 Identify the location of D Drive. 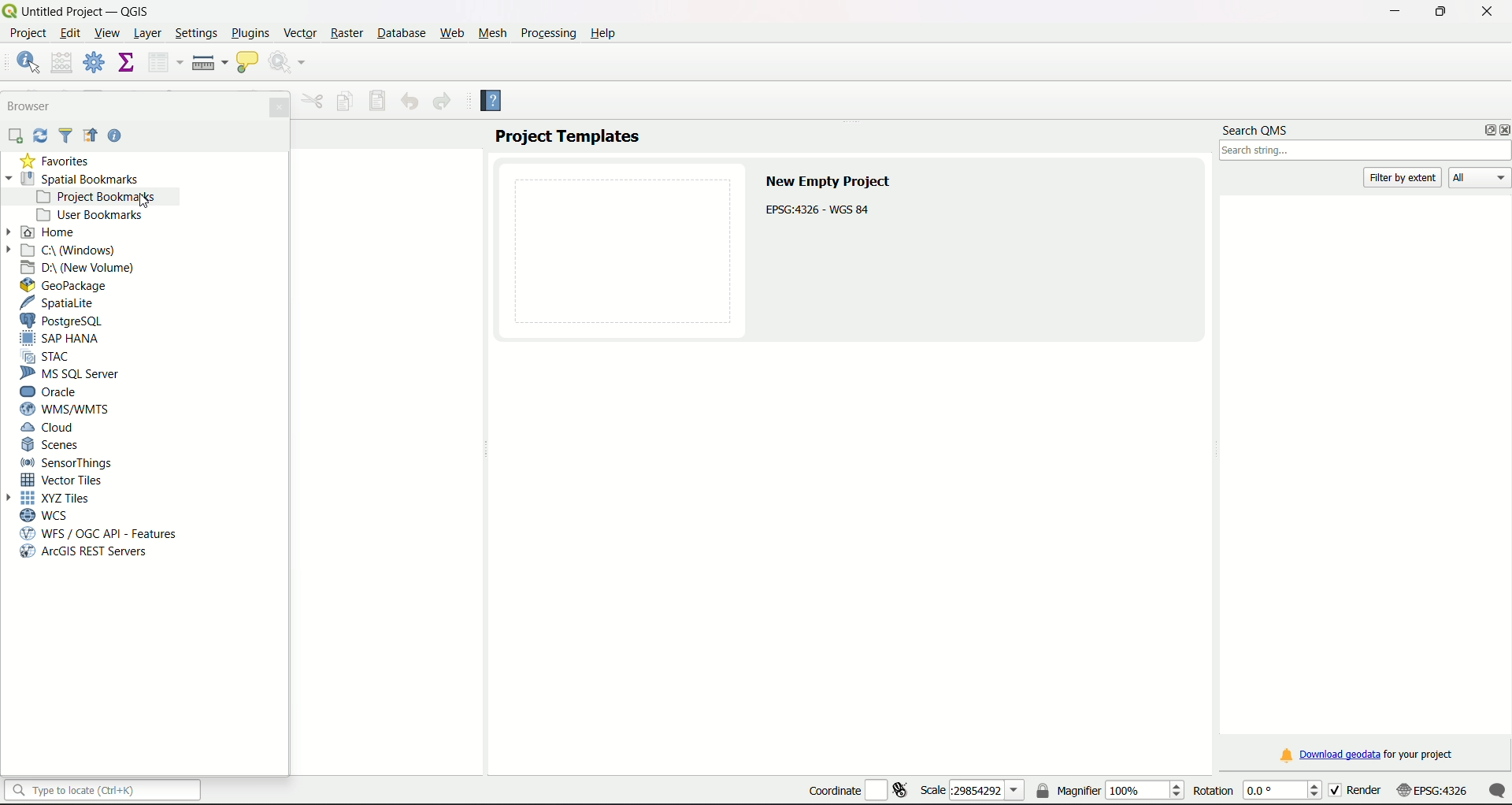
(79, 269).